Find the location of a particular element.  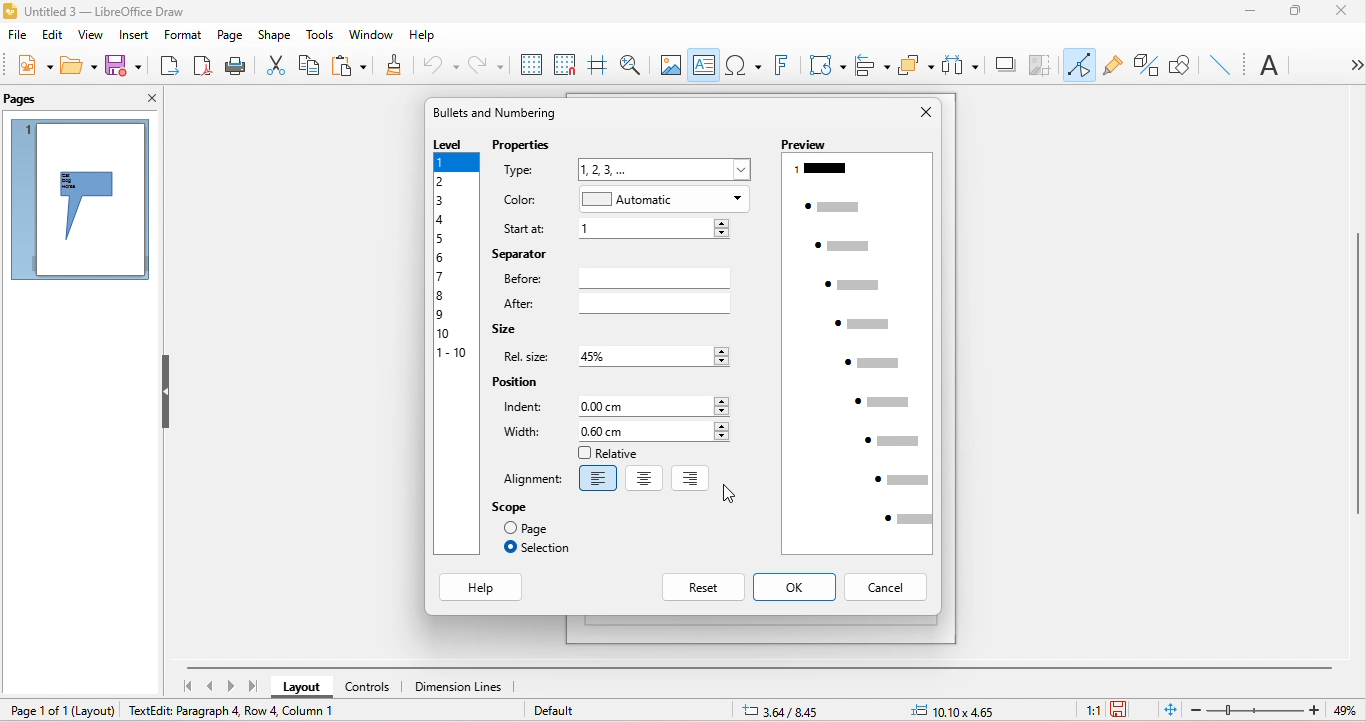

1,2,3 is located at coordinates (663, 169).